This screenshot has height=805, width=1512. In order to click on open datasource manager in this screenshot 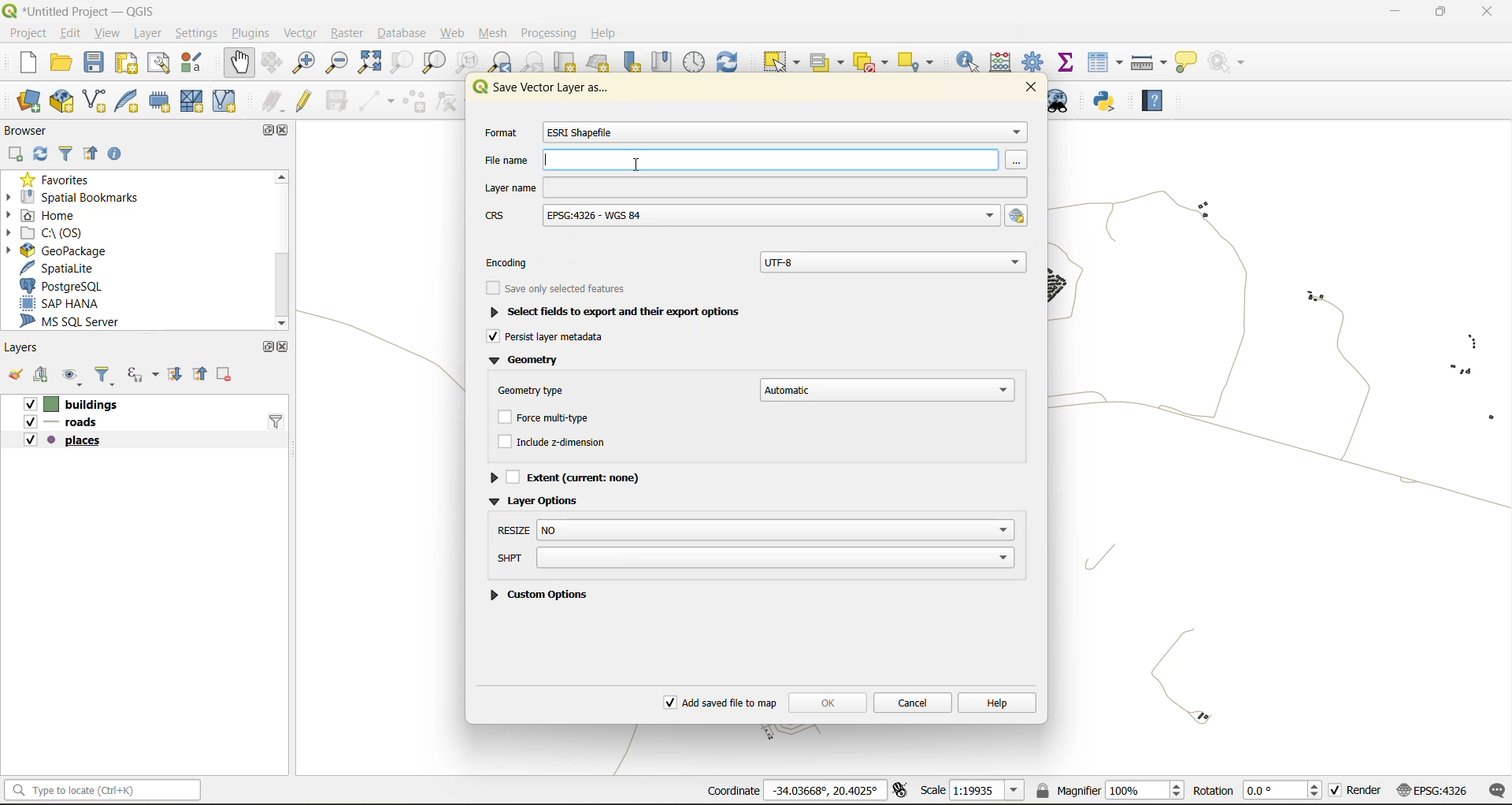, I will do `click(24, 101)`.